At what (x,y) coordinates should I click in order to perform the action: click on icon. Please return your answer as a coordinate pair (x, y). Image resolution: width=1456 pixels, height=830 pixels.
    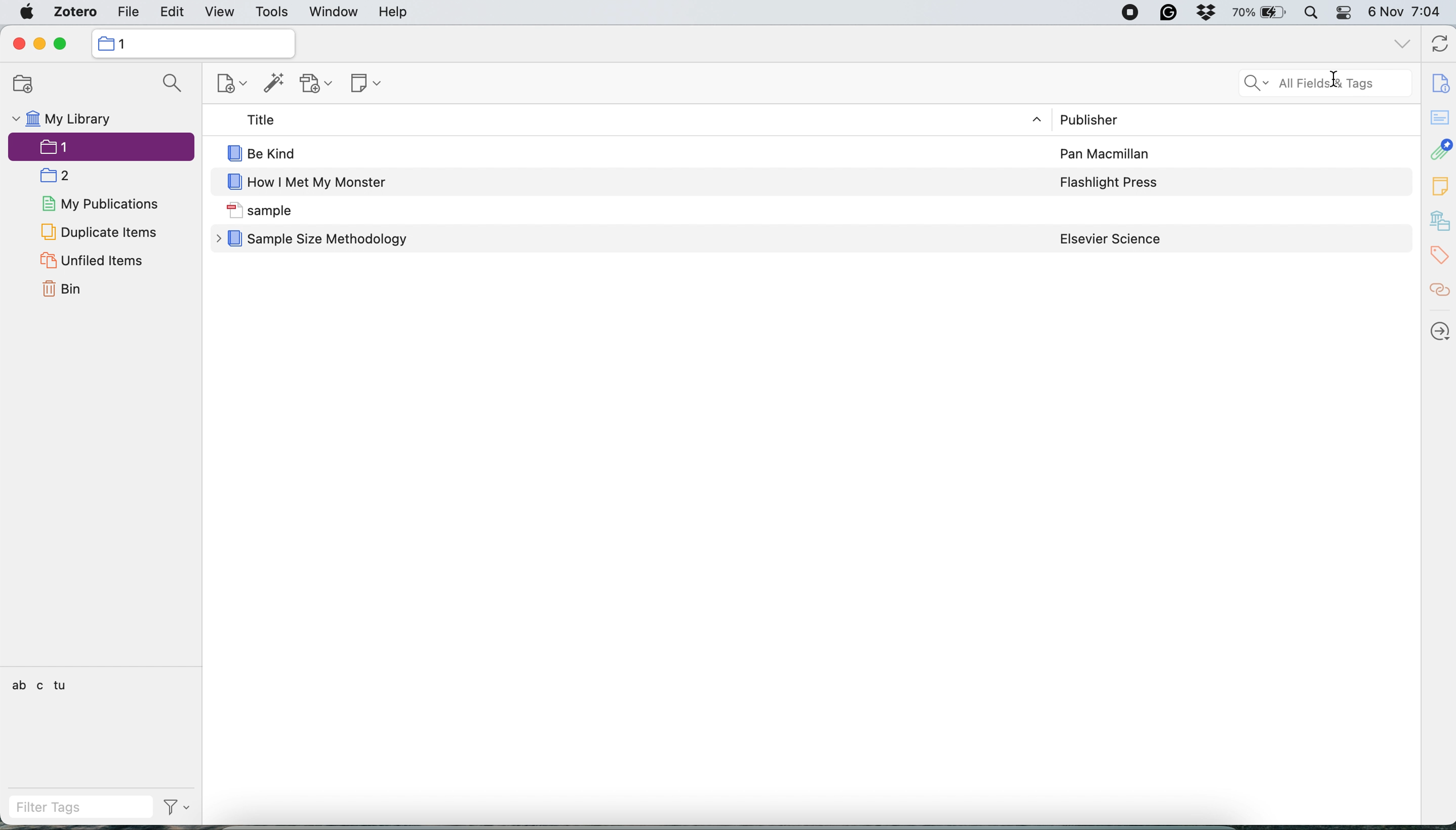
    Looking at the image, I should click on (233, 210).